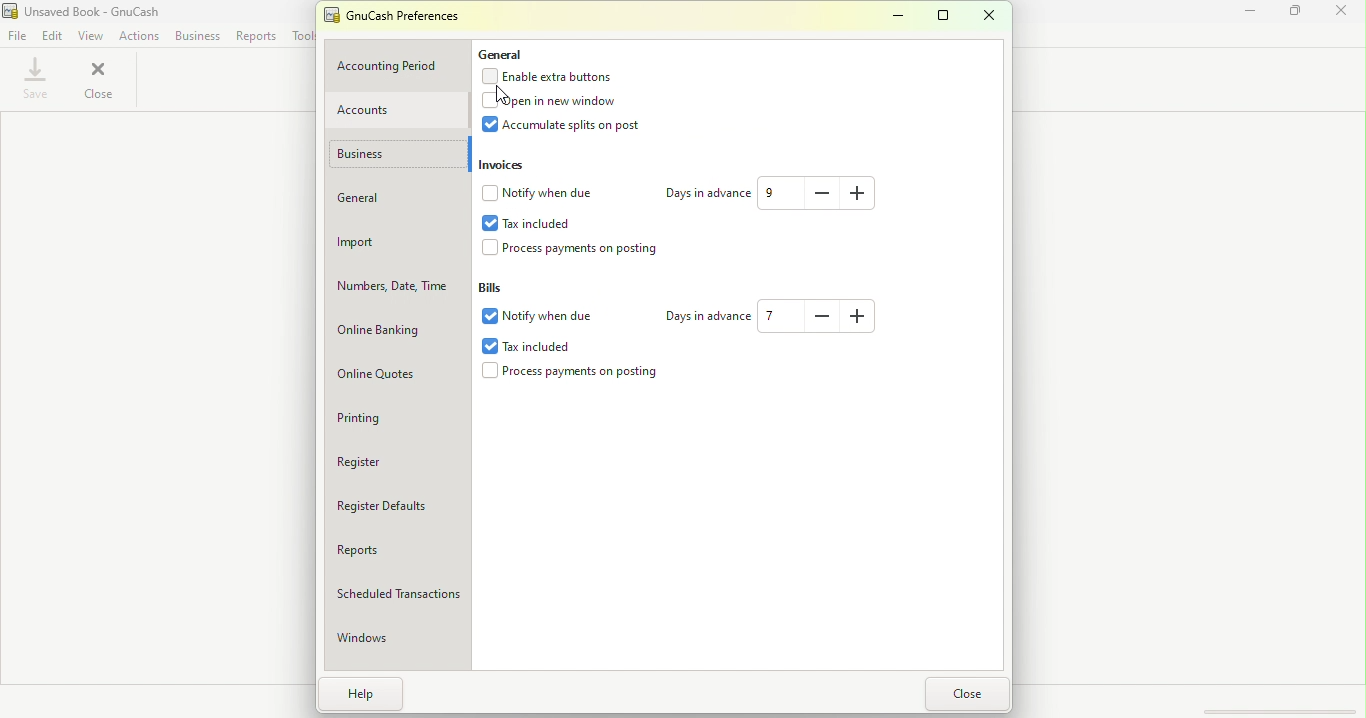  What do you see at coordinates (498, 288) in the screenshot?
I see `Bills` at bounding box center [498, 288].